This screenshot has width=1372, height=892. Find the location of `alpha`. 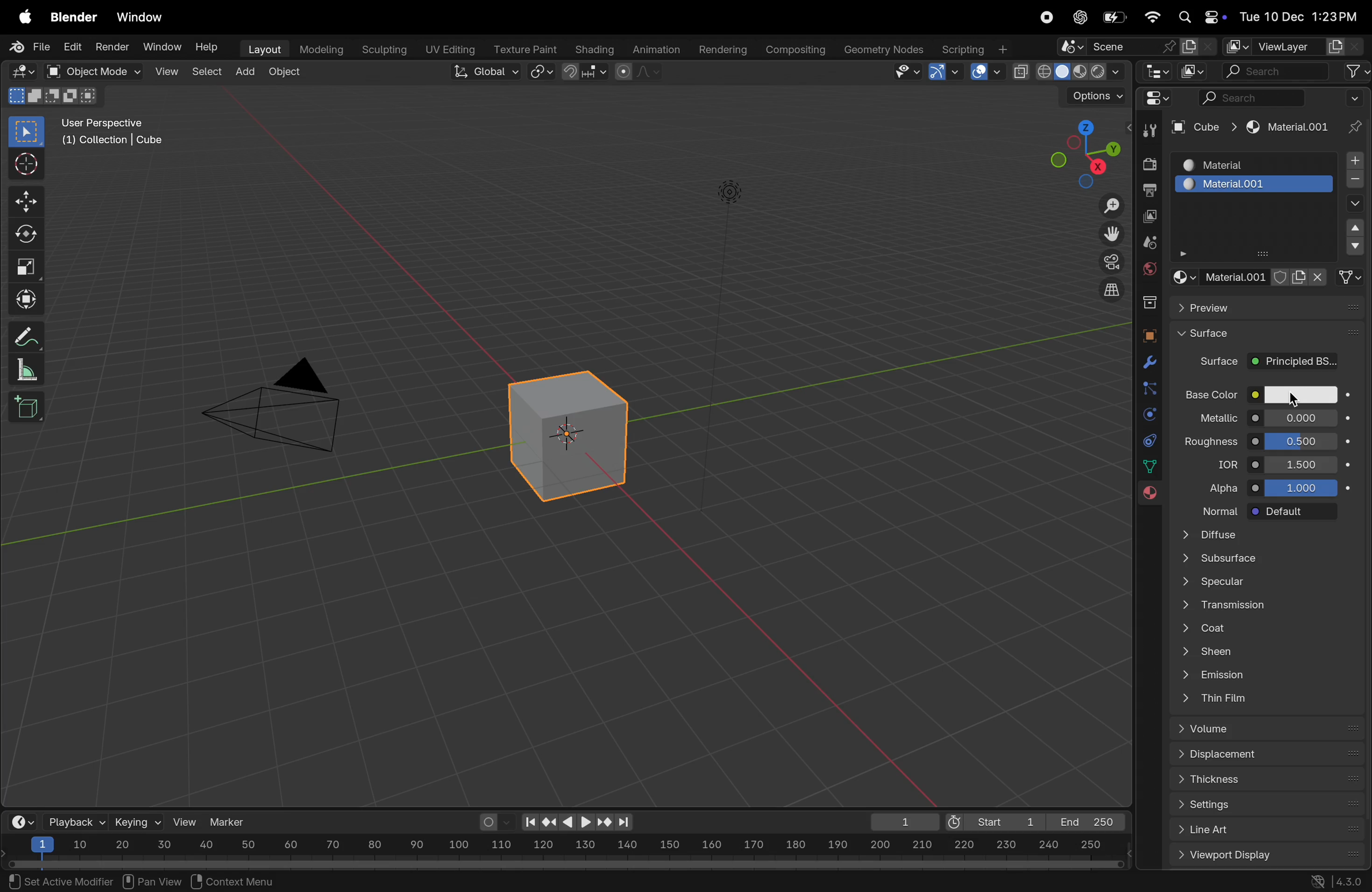

alpha is located at coordinates (1218, 485).